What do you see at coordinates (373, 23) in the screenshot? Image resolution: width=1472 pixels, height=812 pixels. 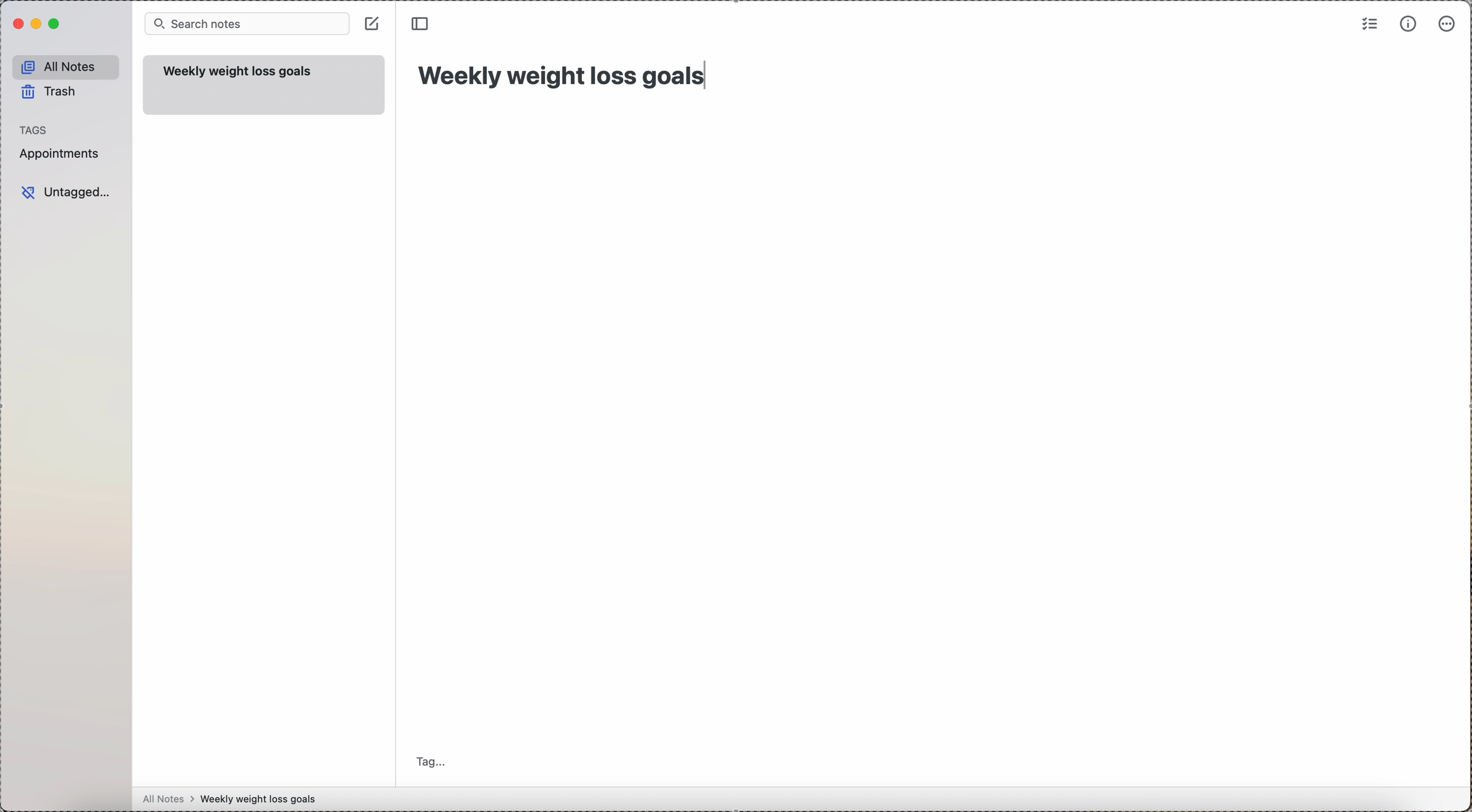 I see `create note` at bounding box center [373, 23].